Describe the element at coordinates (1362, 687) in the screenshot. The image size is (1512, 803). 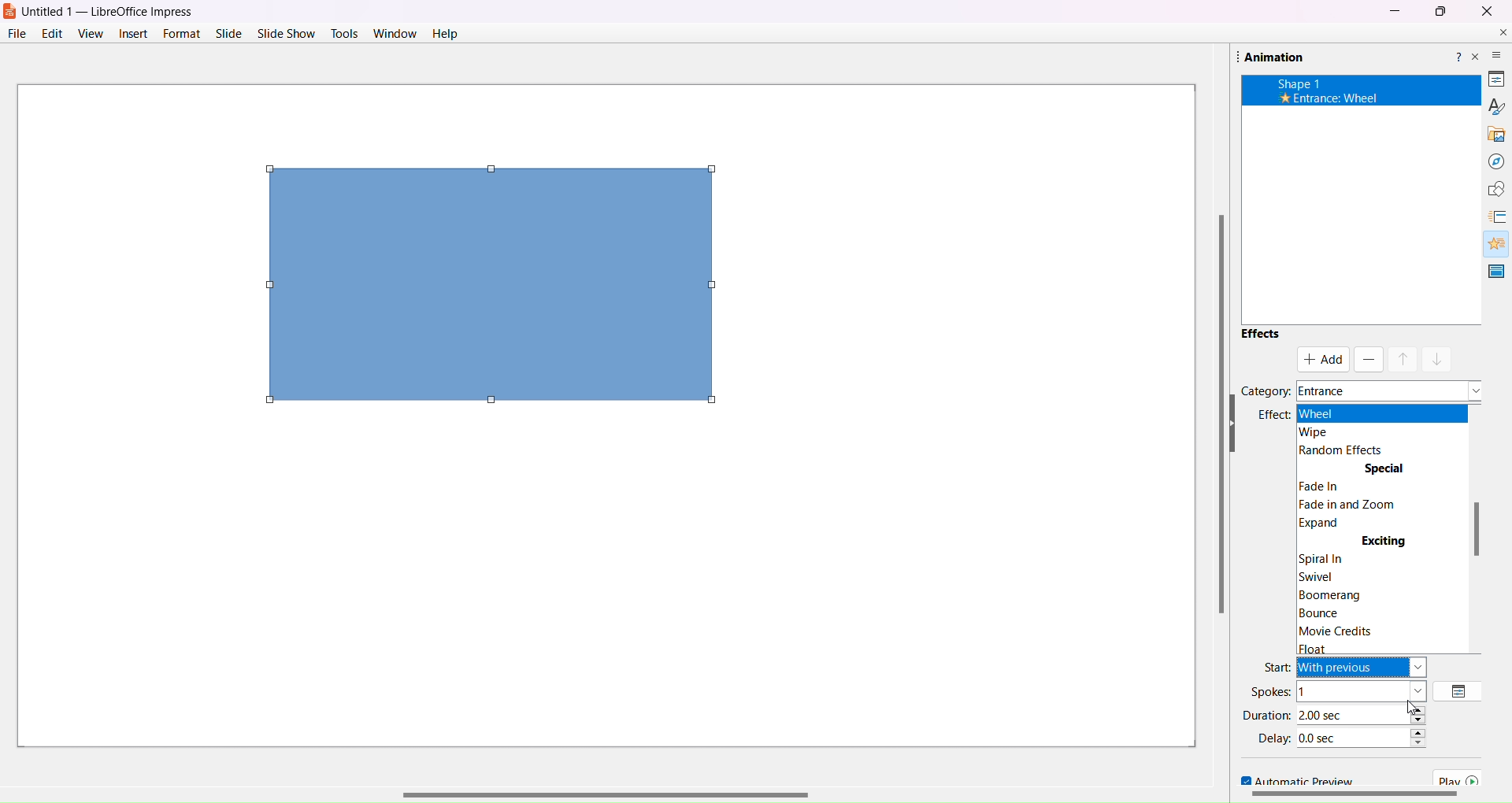
I see `On click` at that location.